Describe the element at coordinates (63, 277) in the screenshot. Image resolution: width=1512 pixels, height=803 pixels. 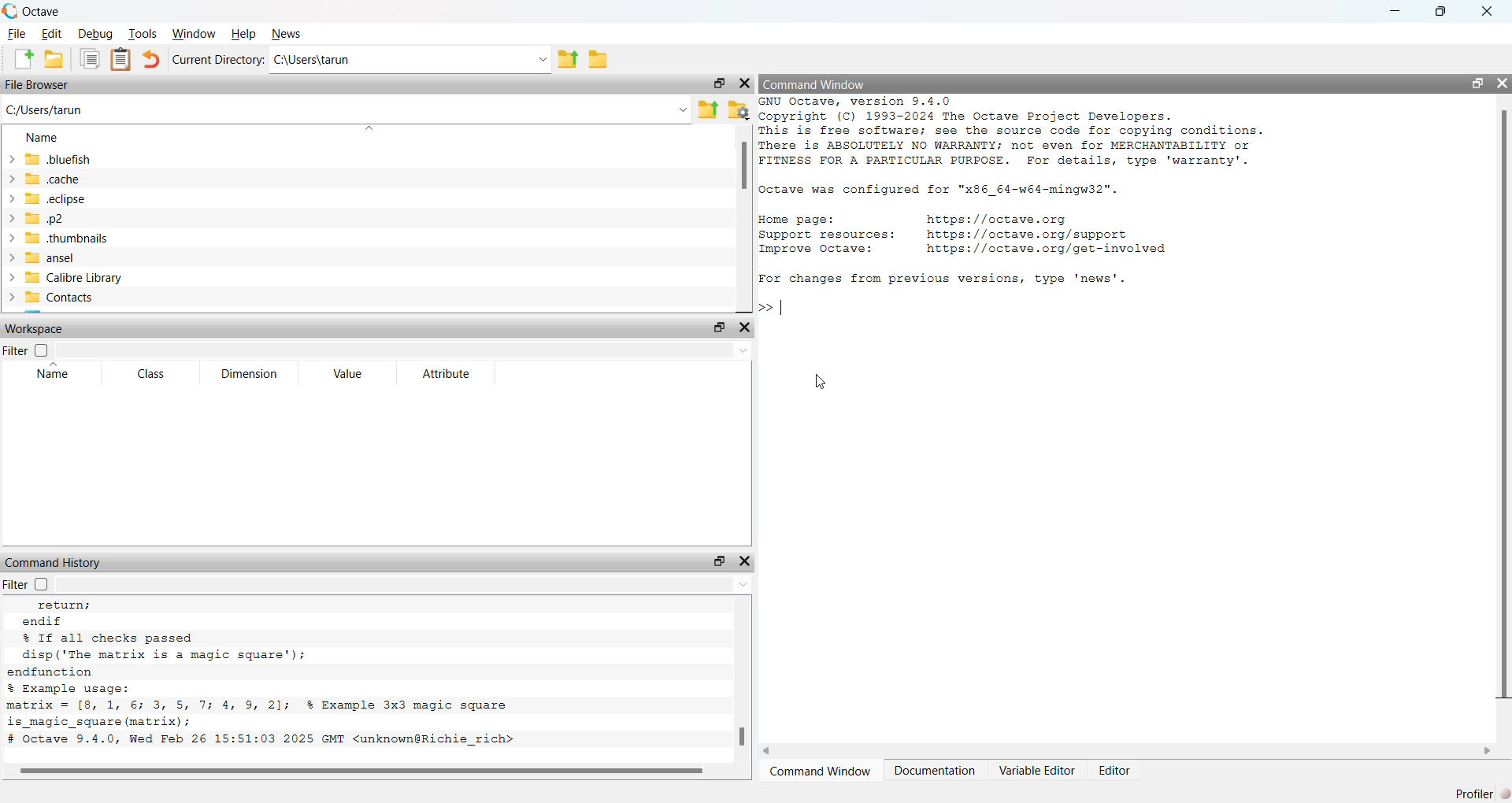
I see `Calibre Library` at that location.